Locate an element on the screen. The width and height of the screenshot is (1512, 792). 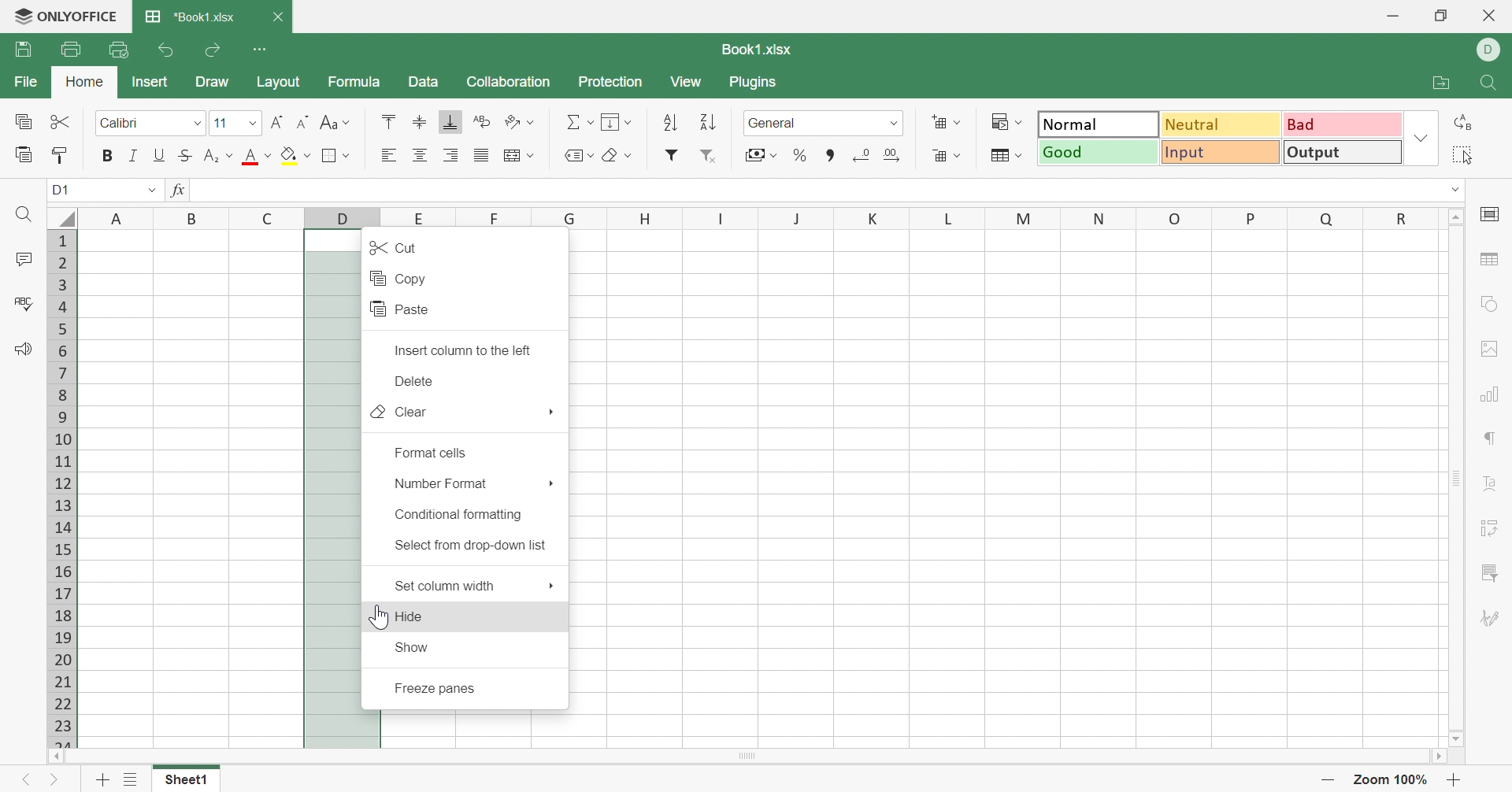
Feedback & Support is located at coordinates (27, 349).